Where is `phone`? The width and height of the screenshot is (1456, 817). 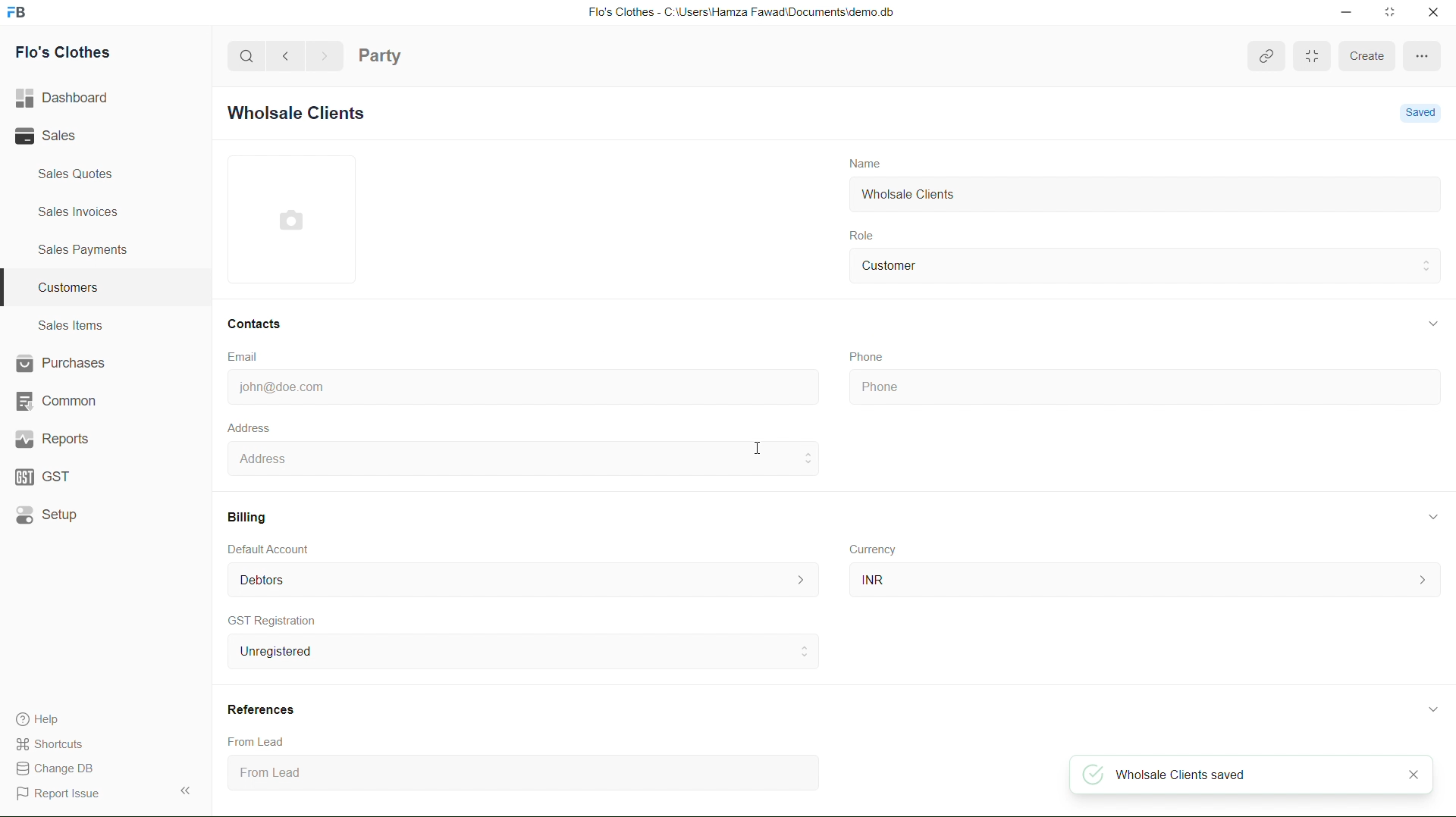 phone is located at coordinates (1126, 387).